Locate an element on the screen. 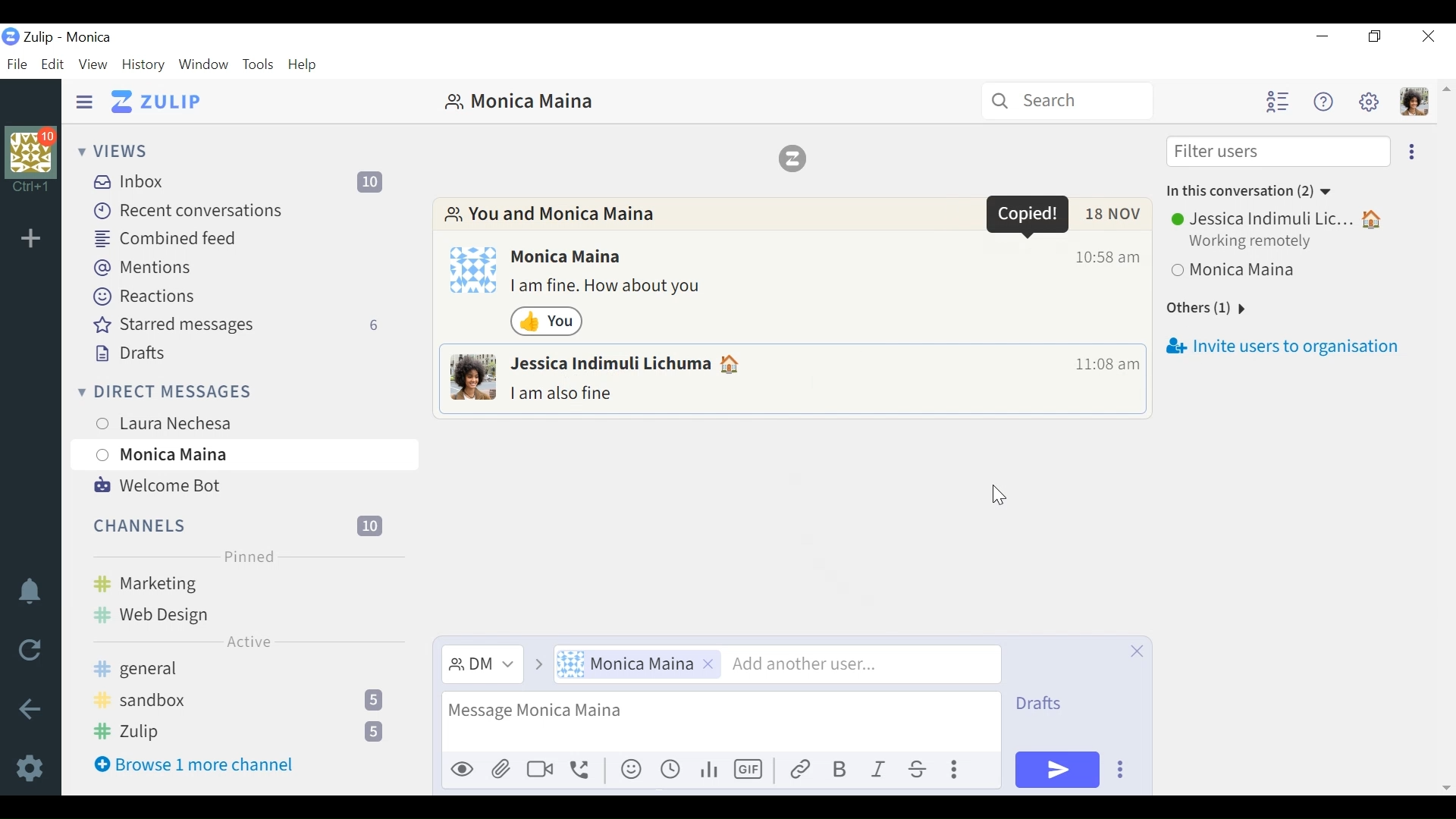  Time is located at coordinates (1106, 257).